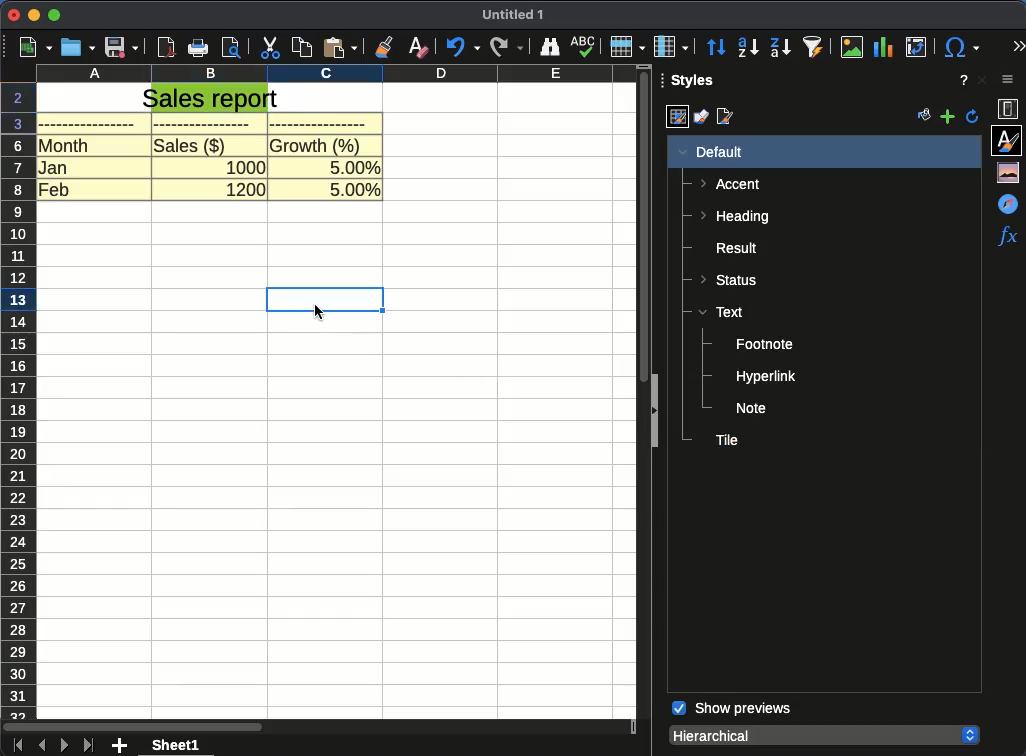  What do you see at coordinates (56, 16) in the screenshot?
I see `maximize` at bounding box center [56, 16].